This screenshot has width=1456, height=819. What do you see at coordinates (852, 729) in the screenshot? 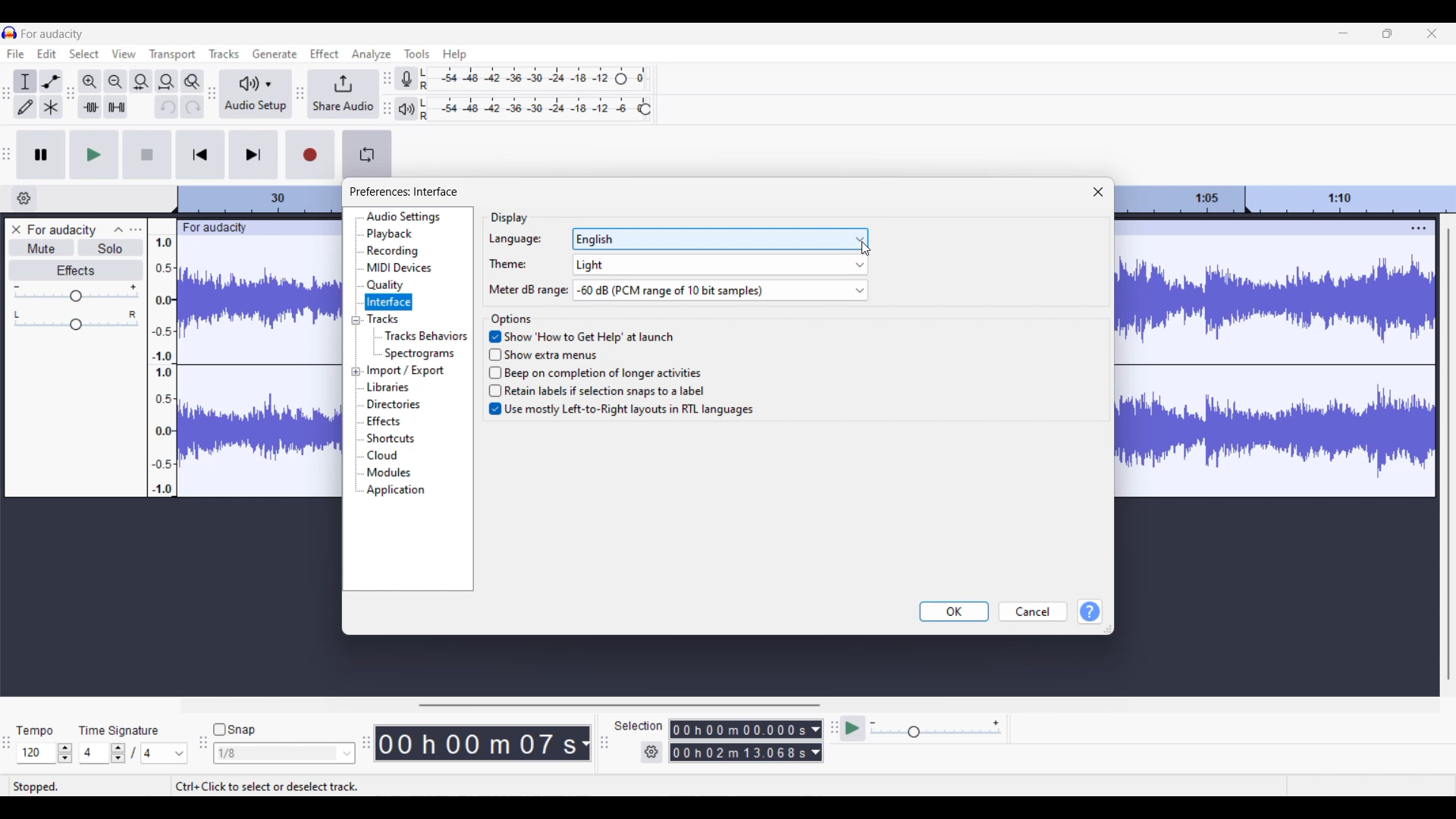
I see `Play at speed/Play at speed once` at bounding box center [852, 729].